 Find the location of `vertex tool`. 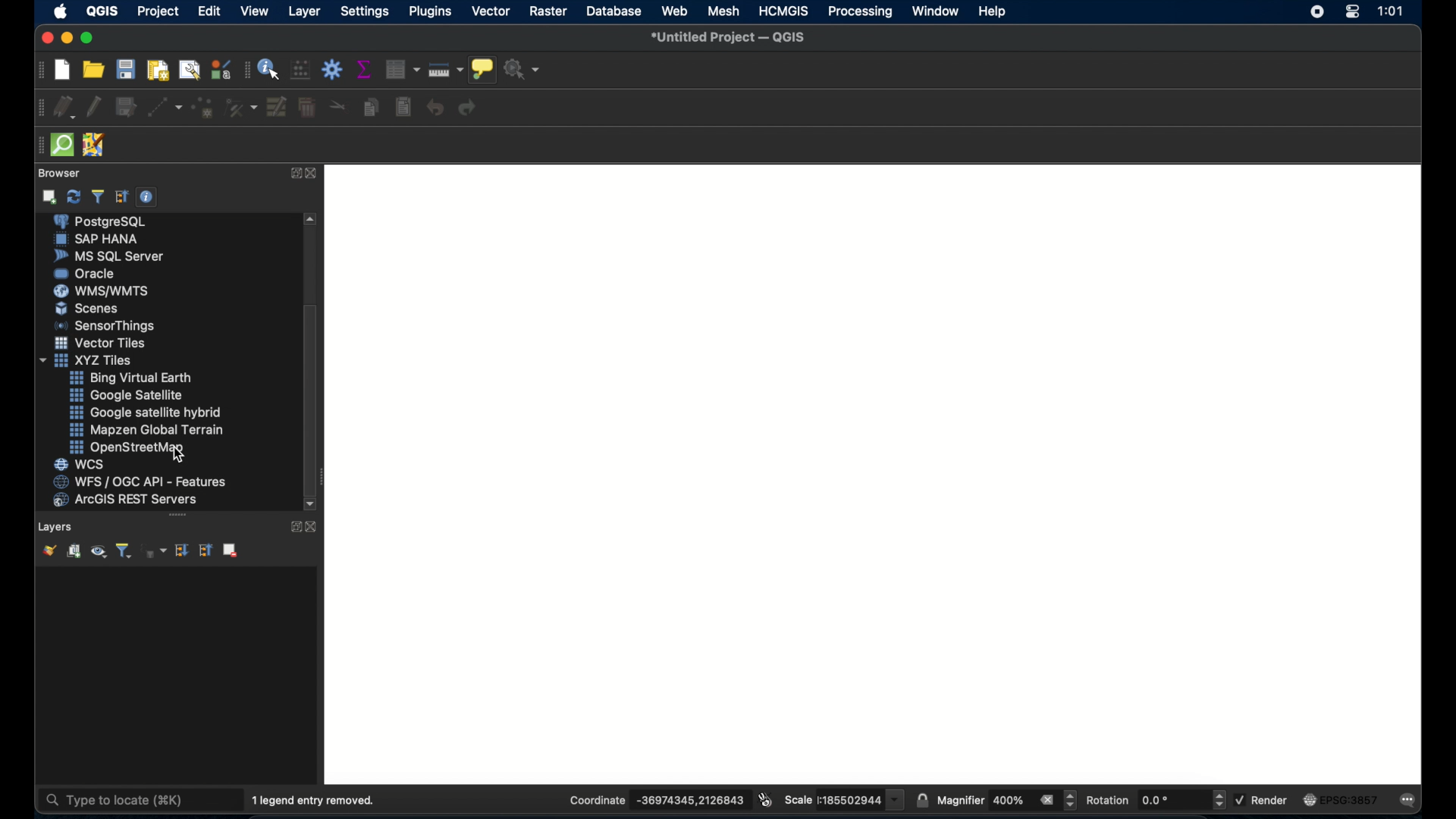

vertex tool is located at coordinates (241, 107).